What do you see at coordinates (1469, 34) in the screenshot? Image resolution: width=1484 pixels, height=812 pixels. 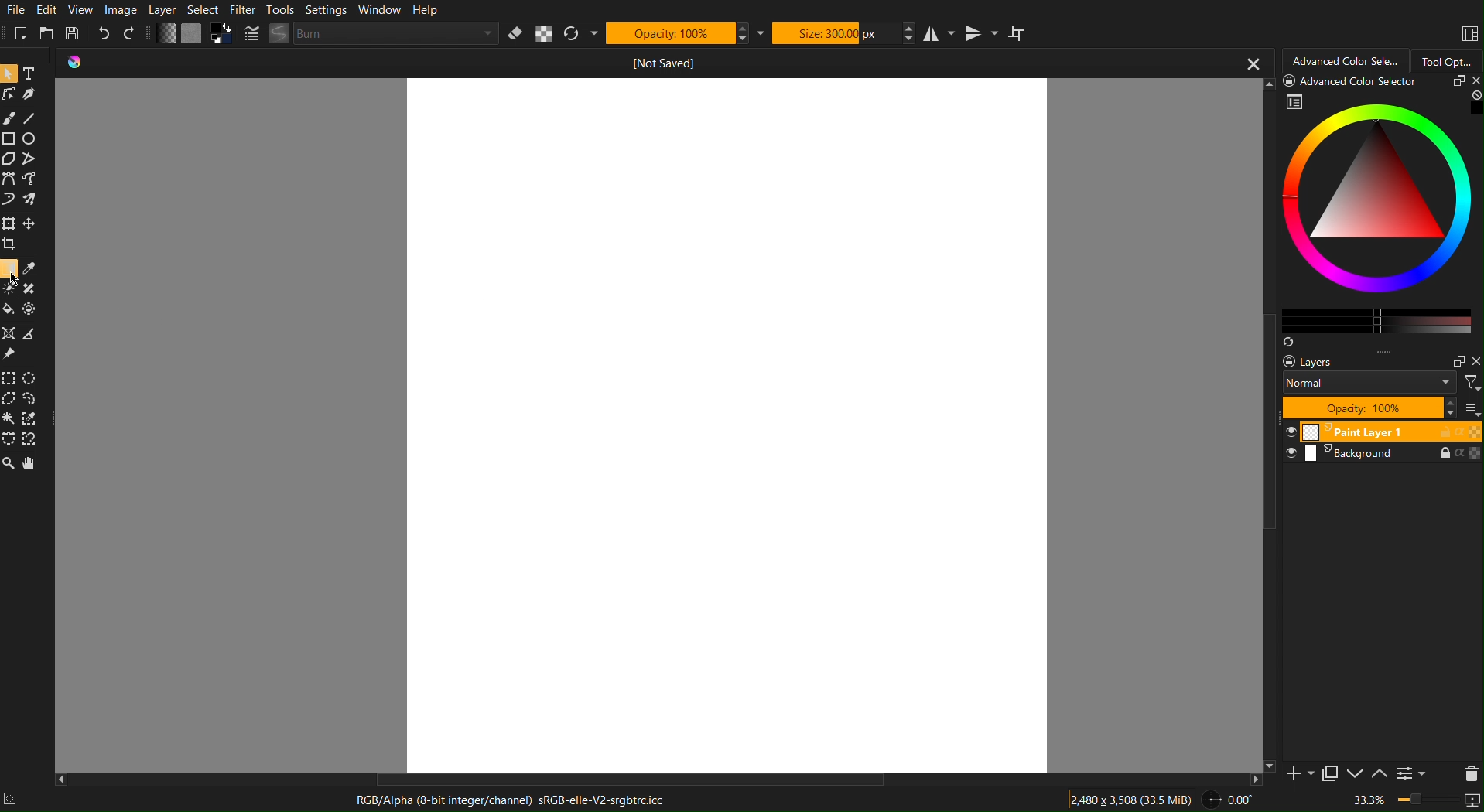 I see `Workspaces` at bounding box center [1469, 34].